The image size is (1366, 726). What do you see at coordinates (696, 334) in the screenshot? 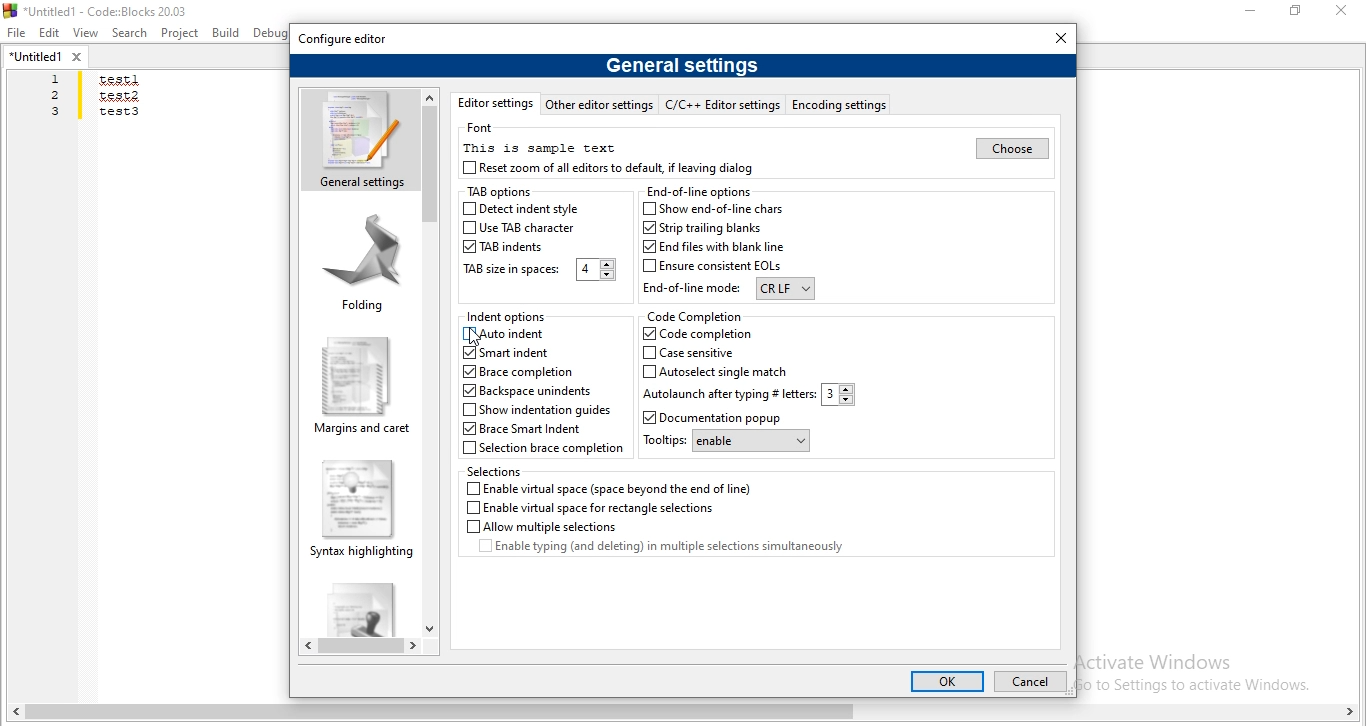
I see `Code completion` at bounding box center [696, 334].